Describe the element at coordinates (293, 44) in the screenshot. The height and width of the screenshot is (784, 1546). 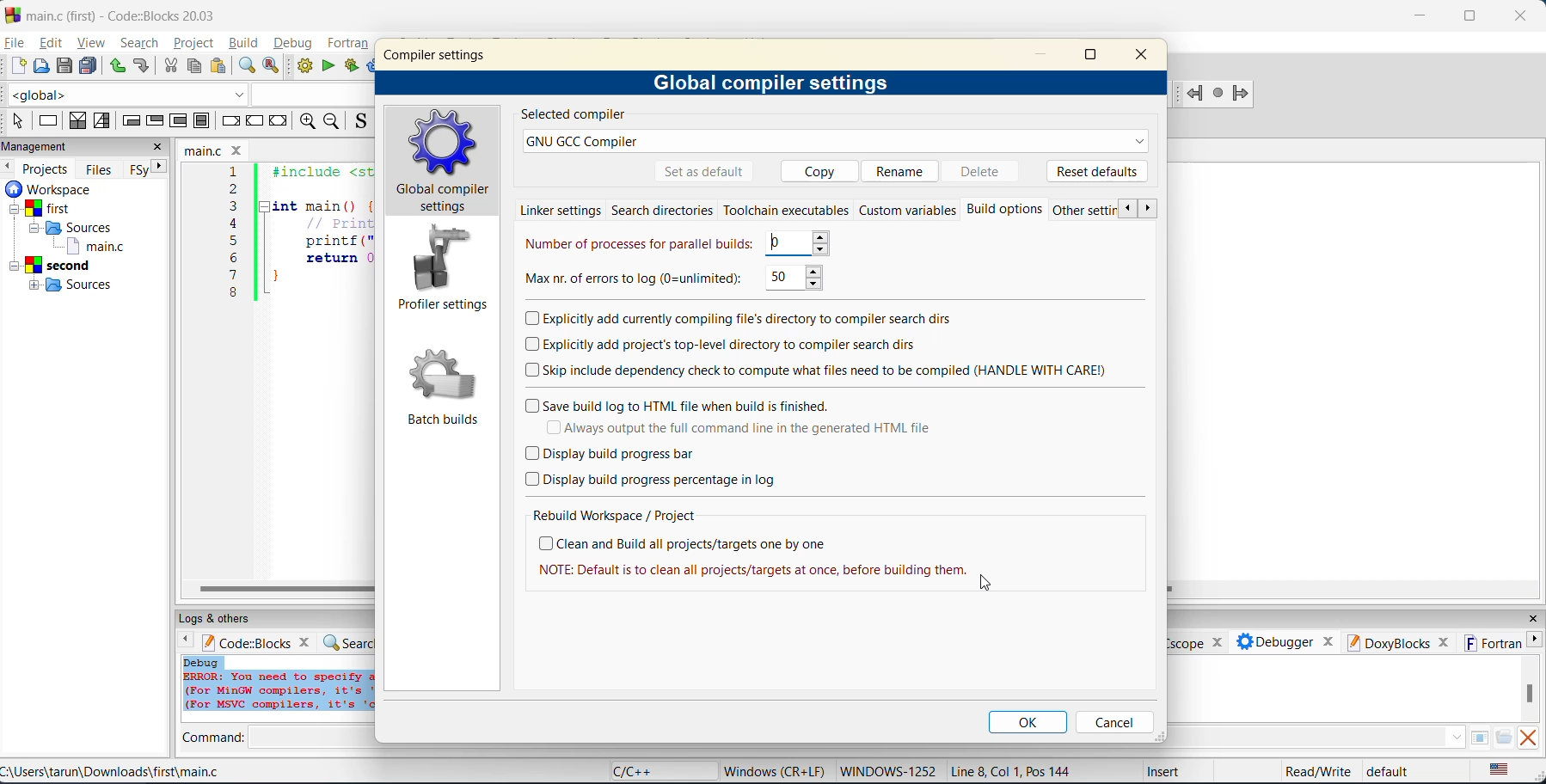
I see `debug` at that location.